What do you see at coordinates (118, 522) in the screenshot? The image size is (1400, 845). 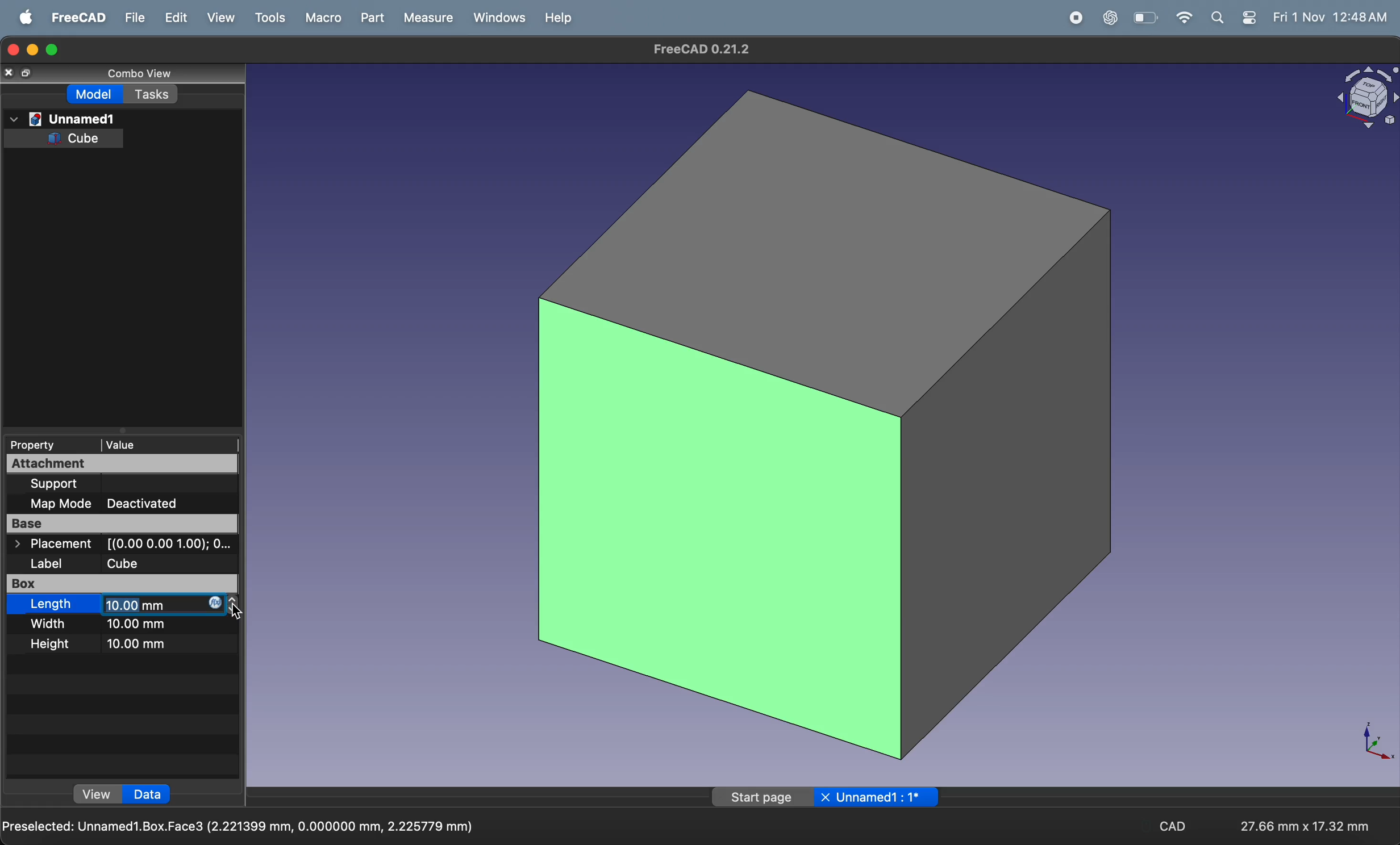 I see `base` at bounding box center [118, 522].